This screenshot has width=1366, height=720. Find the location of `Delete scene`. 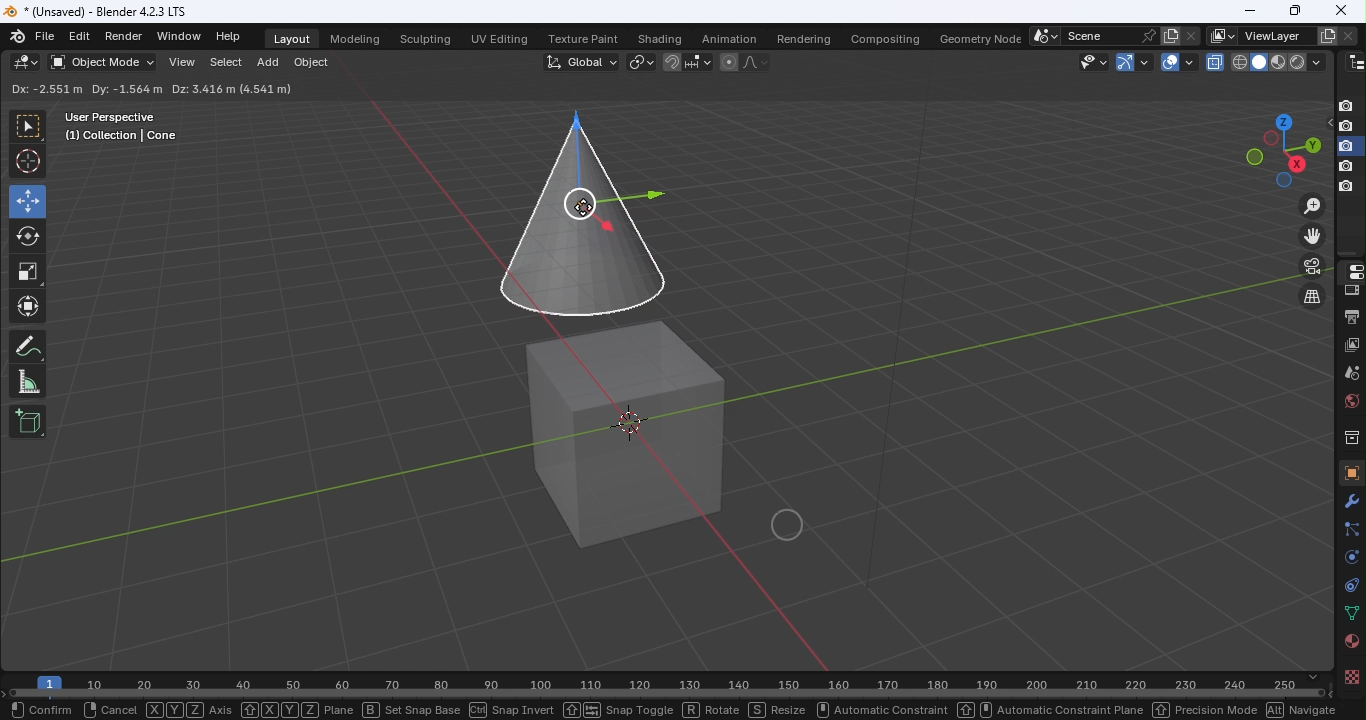

Delete scene is located at coordinates (1190, 35).